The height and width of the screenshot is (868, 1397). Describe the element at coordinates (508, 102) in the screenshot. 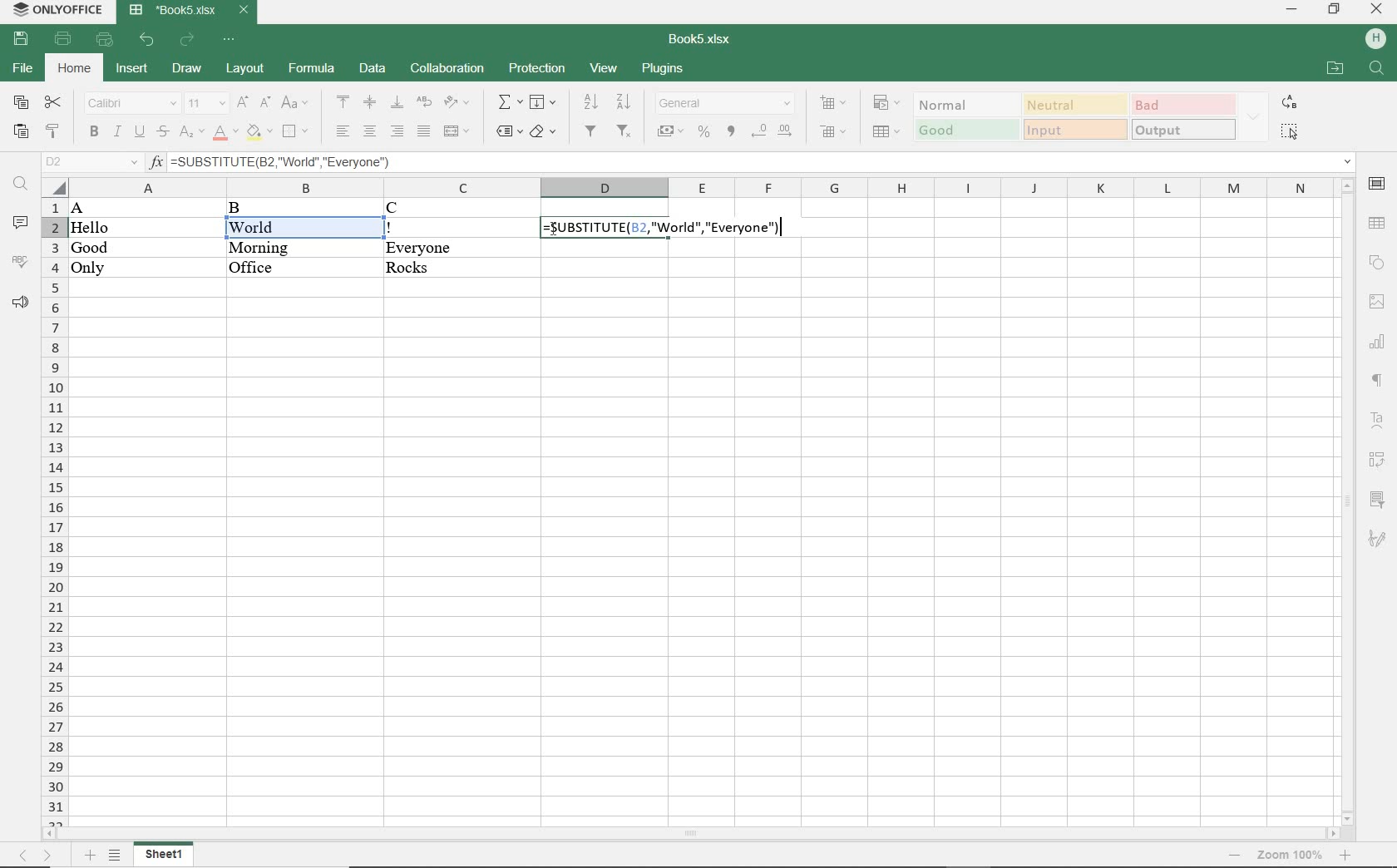

I see `summation` at that location.